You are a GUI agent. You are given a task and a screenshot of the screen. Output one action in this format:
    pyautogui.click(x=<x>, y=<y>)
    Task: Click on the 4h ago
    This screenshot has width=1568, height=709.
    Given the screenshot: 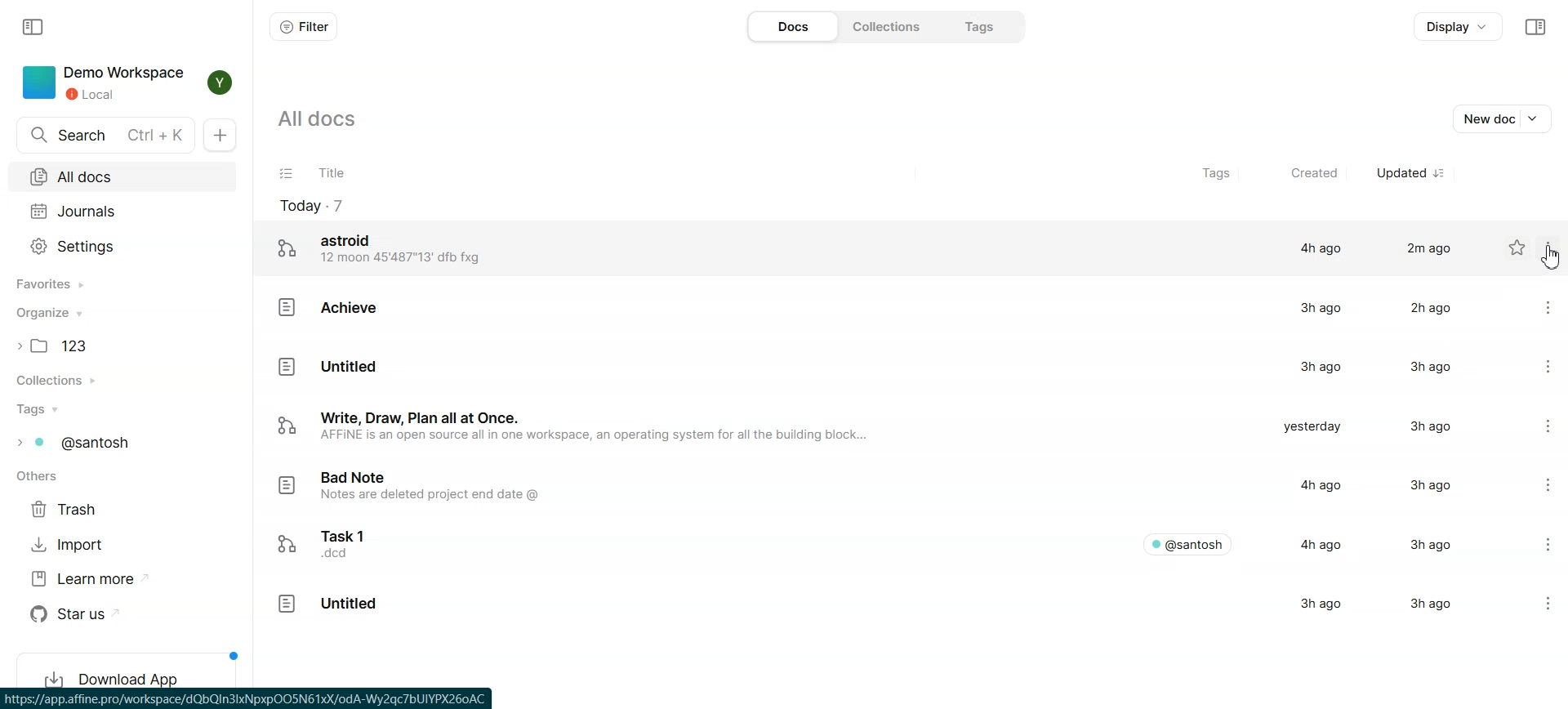 What is the action you would take?
    pyautogui.click(x=1317, y=247)
    